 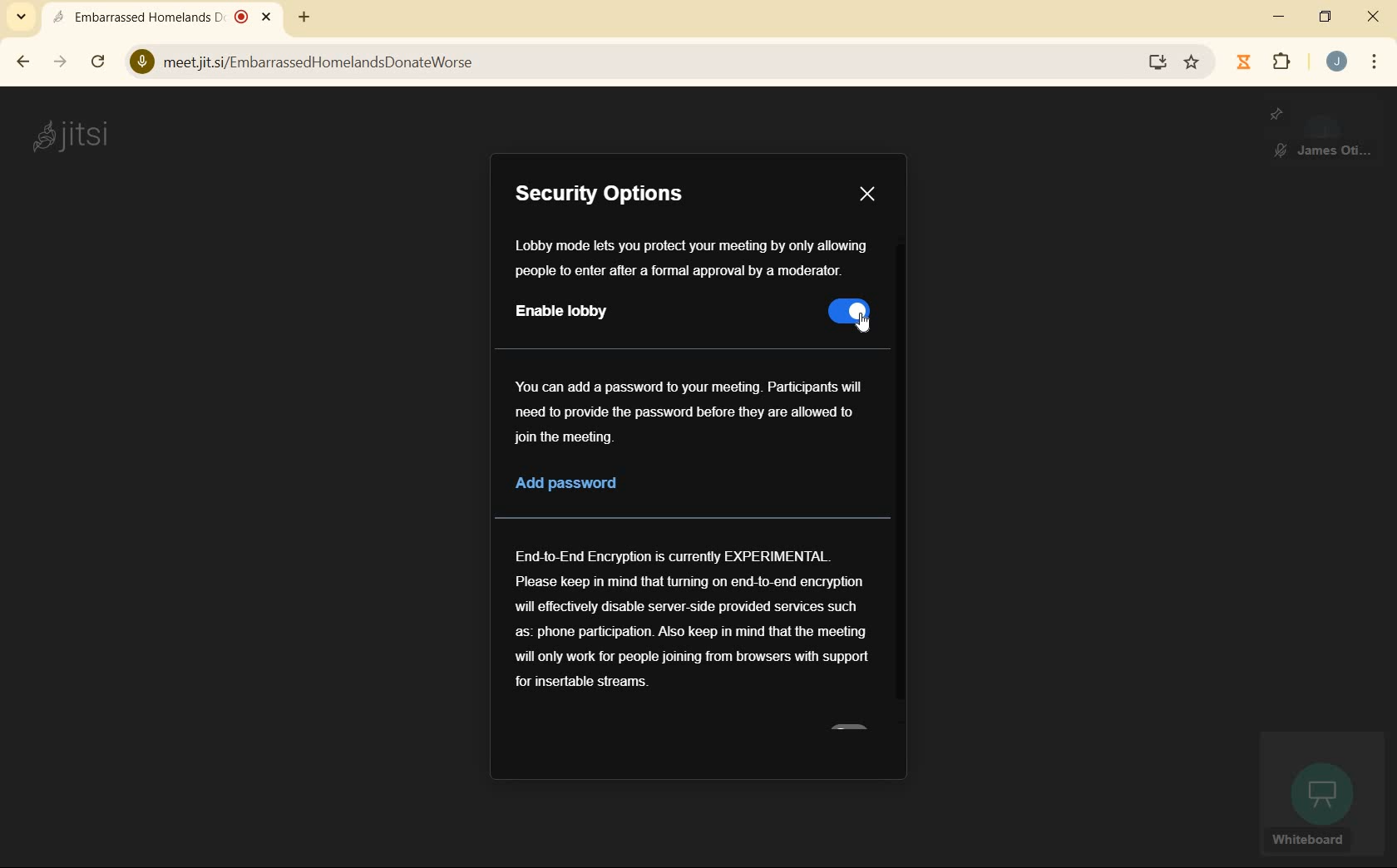 I want to click on account, so click(x=1337, y=63).